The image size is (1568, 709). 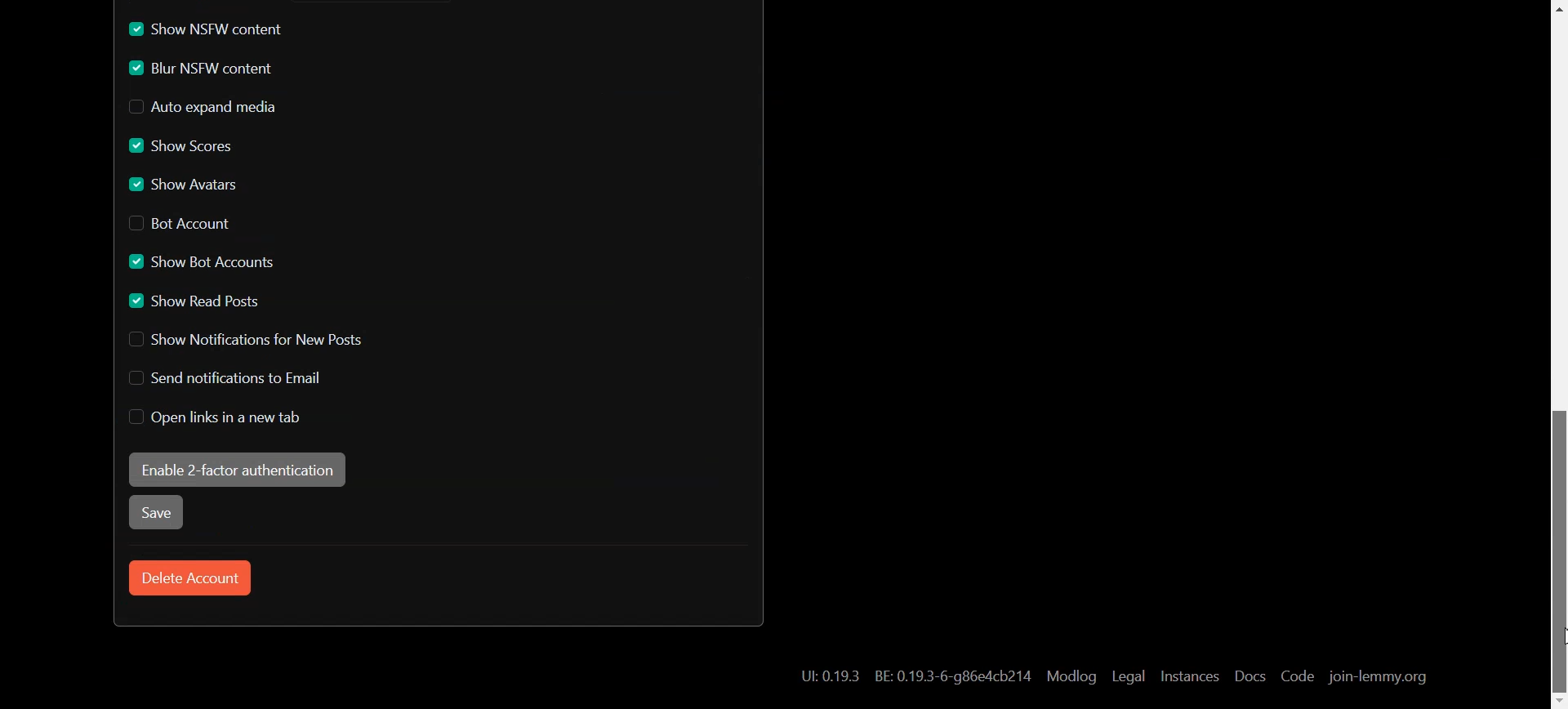 What do you see at coordinates (1558, 642) in the screenshot?
I see `cursor` at bounding box center [1558, 642].